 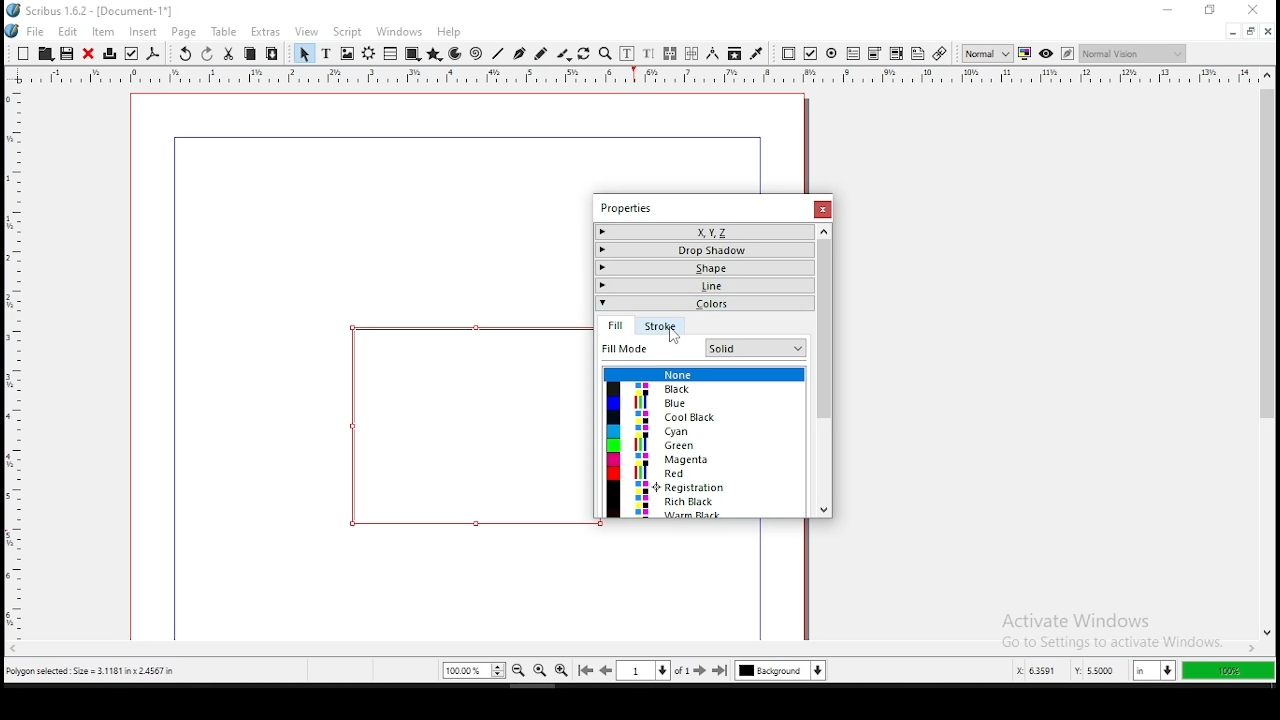 I want to click on scroll bar, so click(x=1266, y=354).